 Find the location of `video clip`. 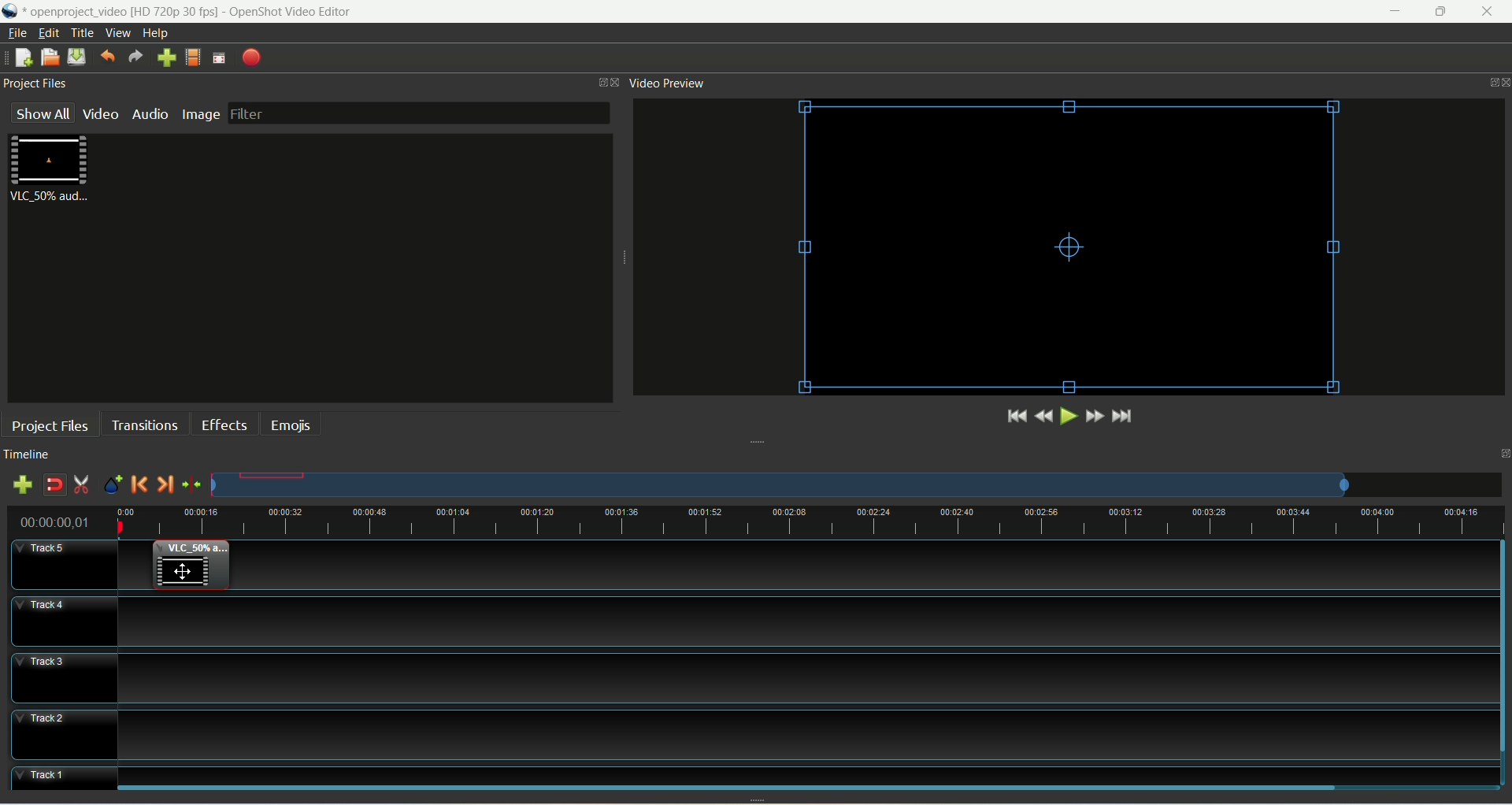

video clip is located at coordinates (191, 566).